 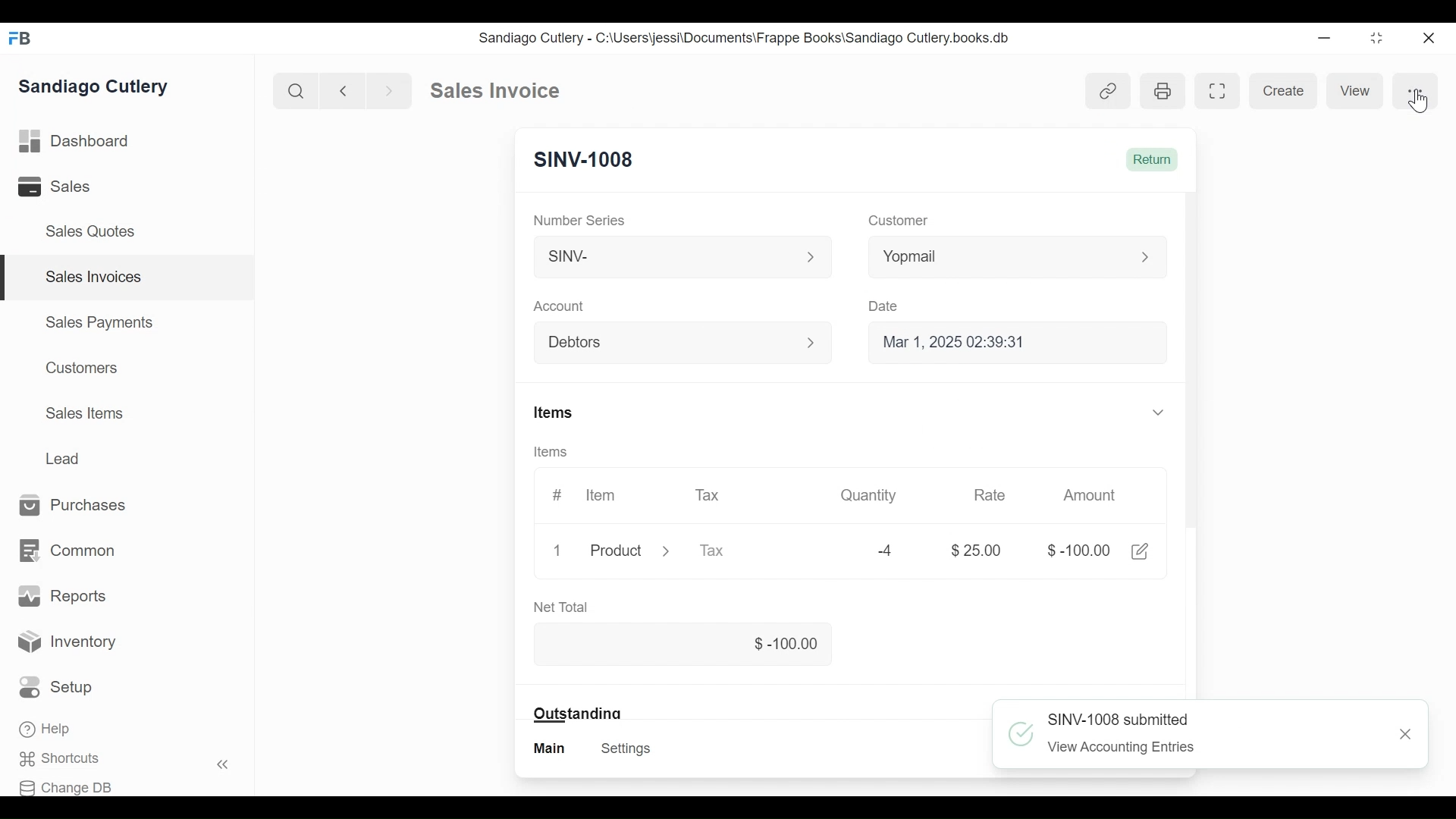 What do you see at coordinates (1432, 39) in the screenshot?
I see `Close` at bounding box center [1432, 39].